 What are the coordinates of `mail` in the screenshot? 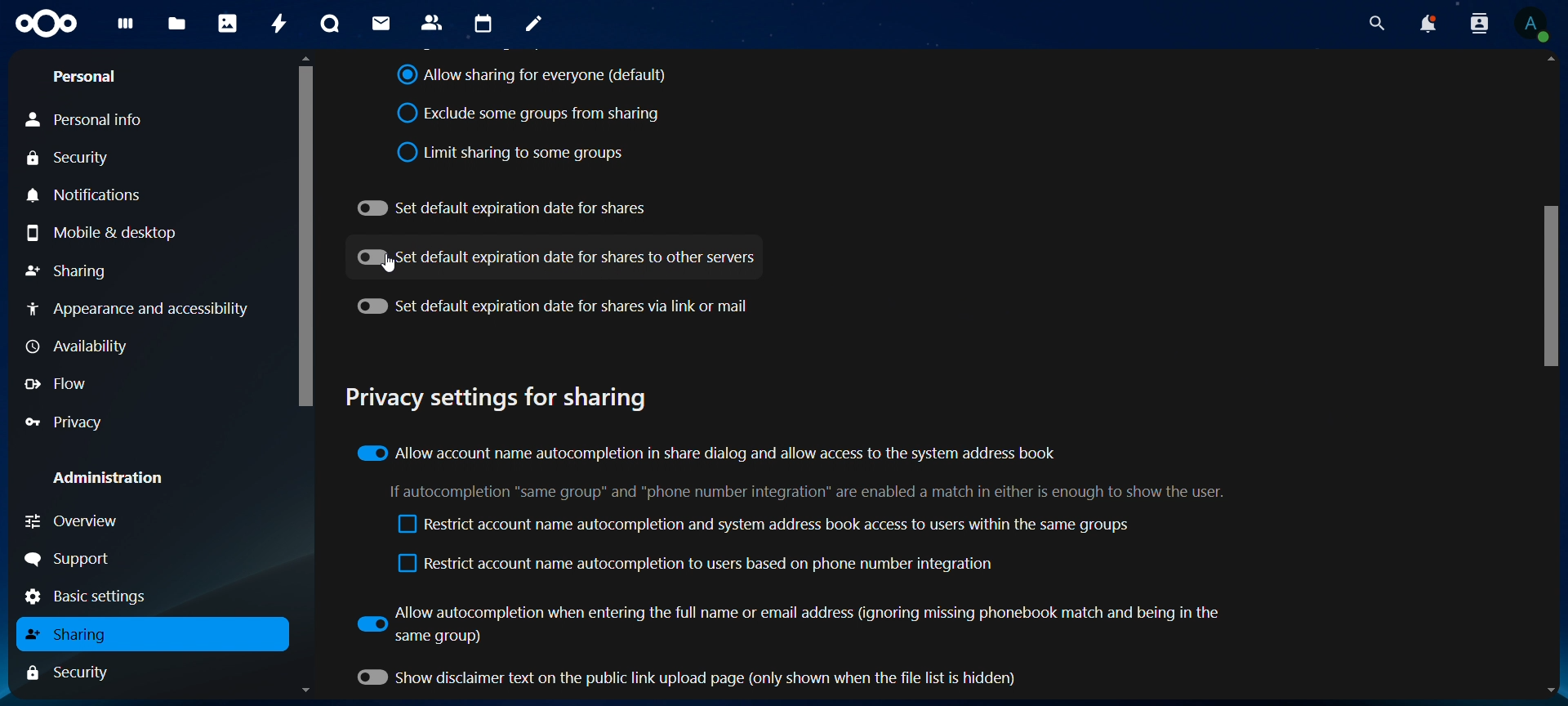 It's located at (381, 21).